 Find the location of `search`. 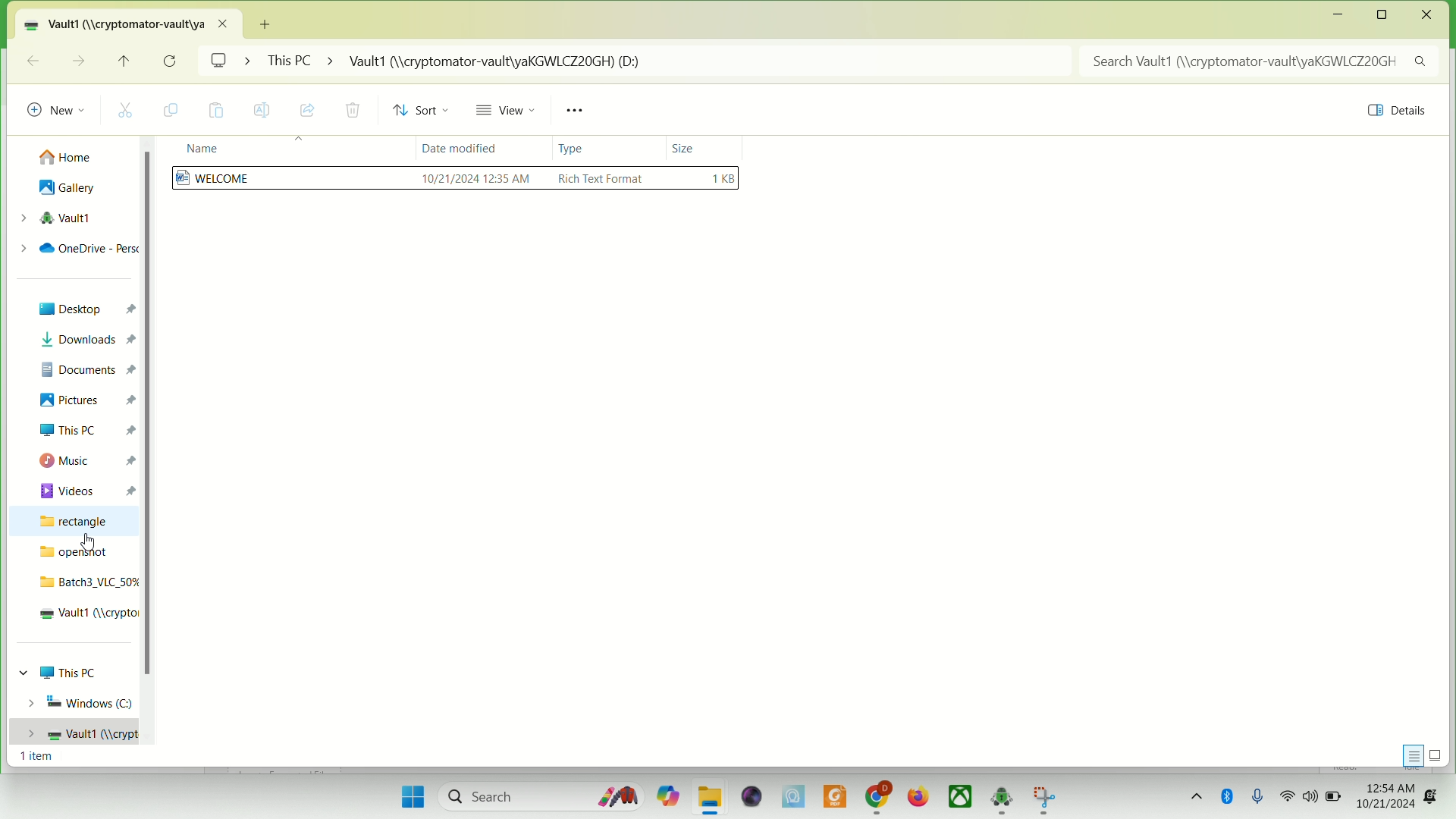

search is located at coordinates (536, 794).